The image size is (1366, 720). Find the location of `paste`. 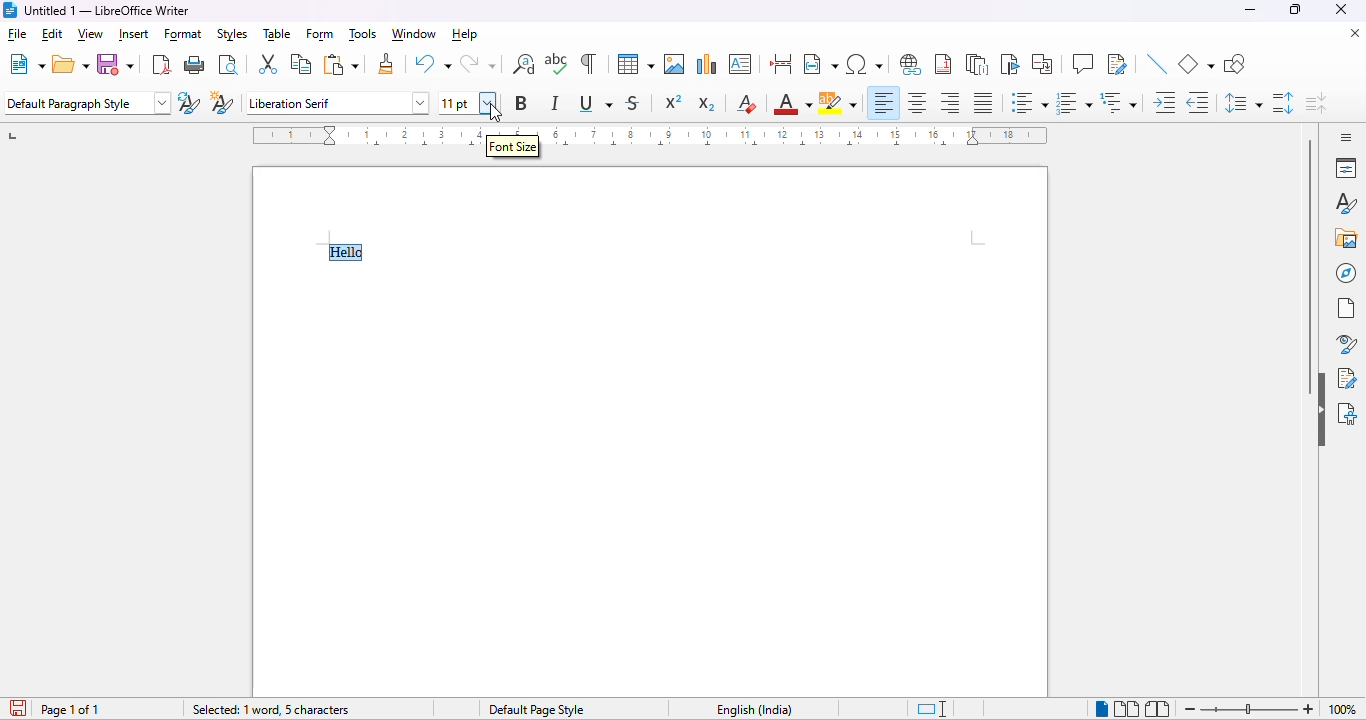

paste is located at coordinates (342, 64).